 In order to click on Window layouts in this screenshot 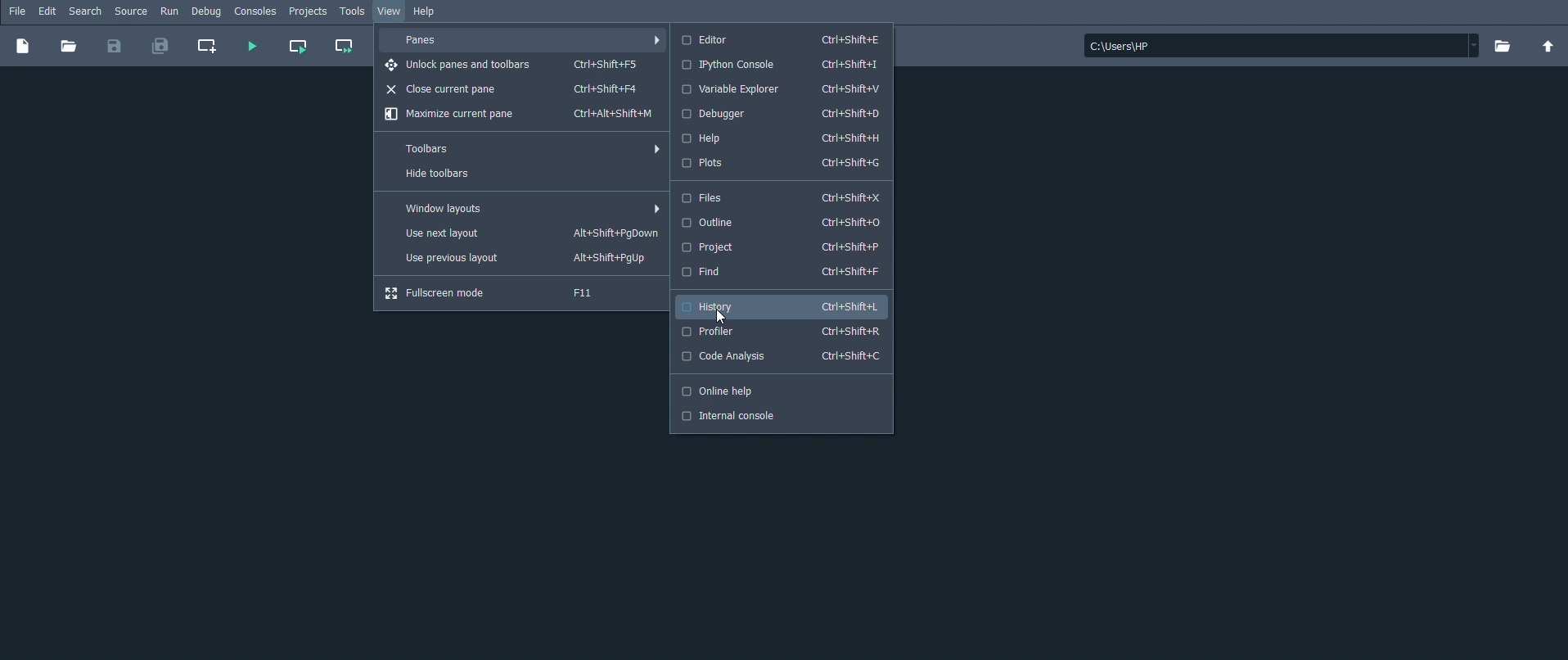, I will do `click(522, 209)`.